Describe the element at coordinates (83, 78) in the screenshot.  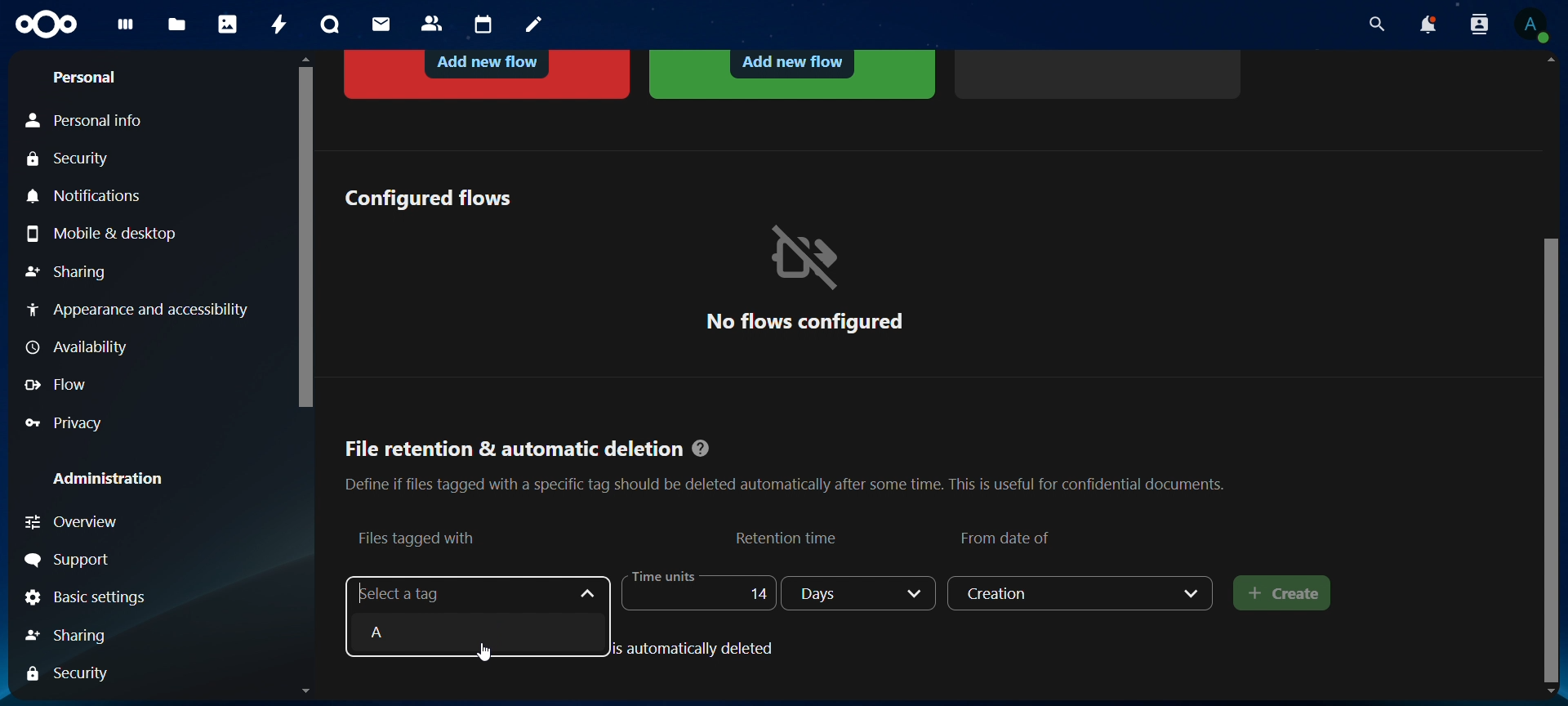
I see `personal` at that location.